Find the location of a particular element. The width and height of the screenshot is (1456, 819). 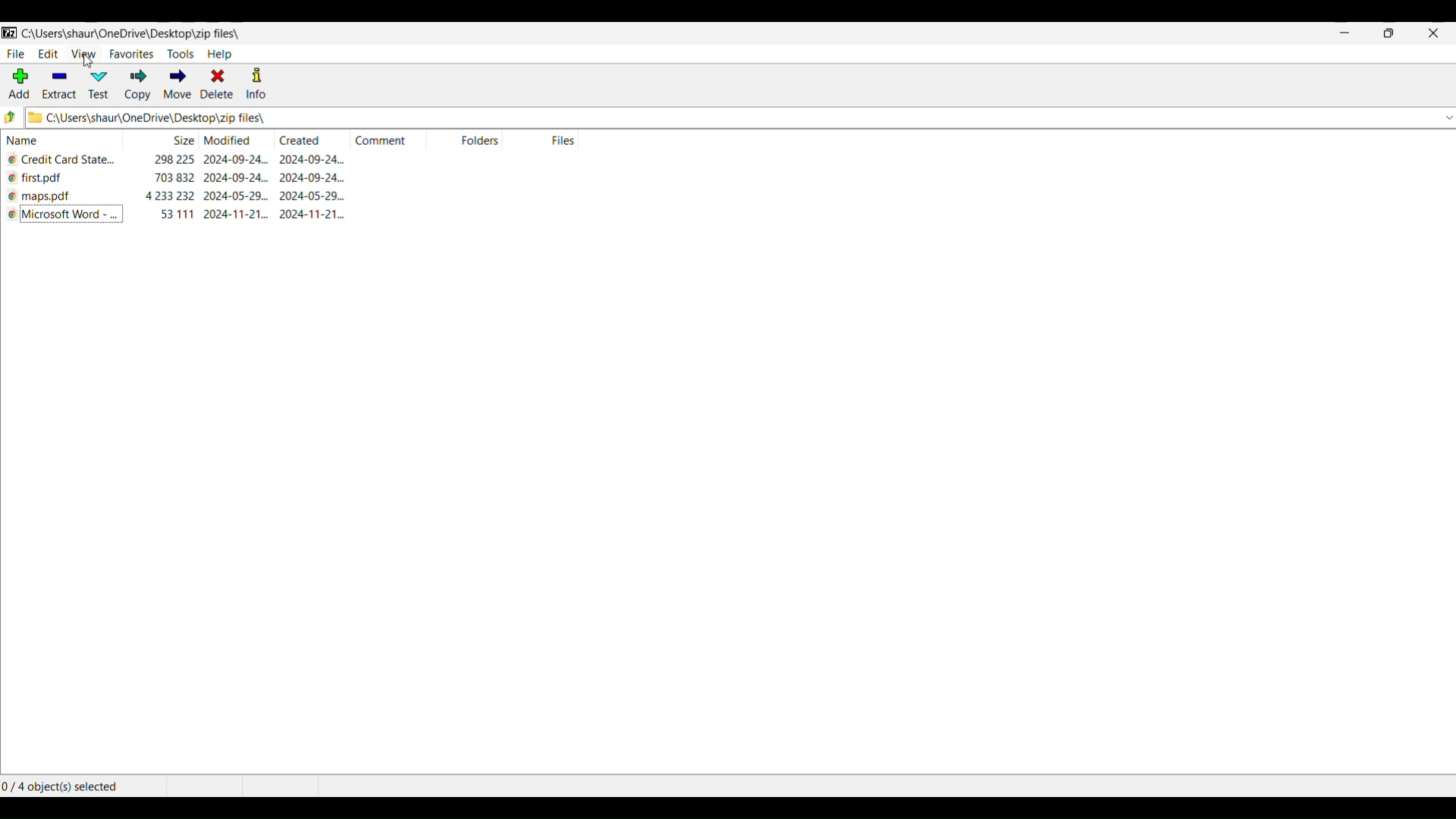

extract is located at coordinates (58, 86).